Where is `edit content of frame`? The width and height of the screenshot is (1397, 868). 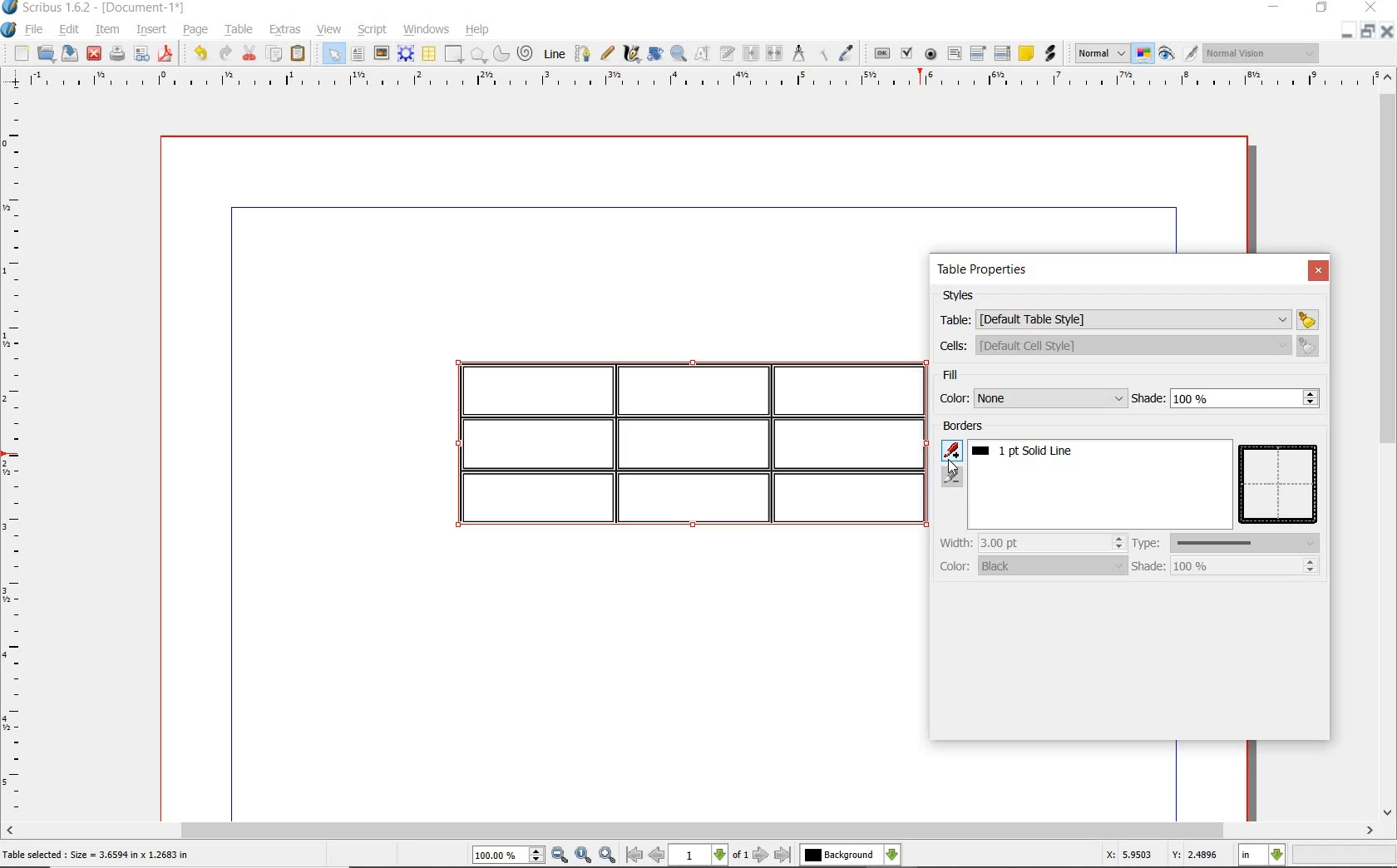 edit content of frame is located at coordinates (703, 54).